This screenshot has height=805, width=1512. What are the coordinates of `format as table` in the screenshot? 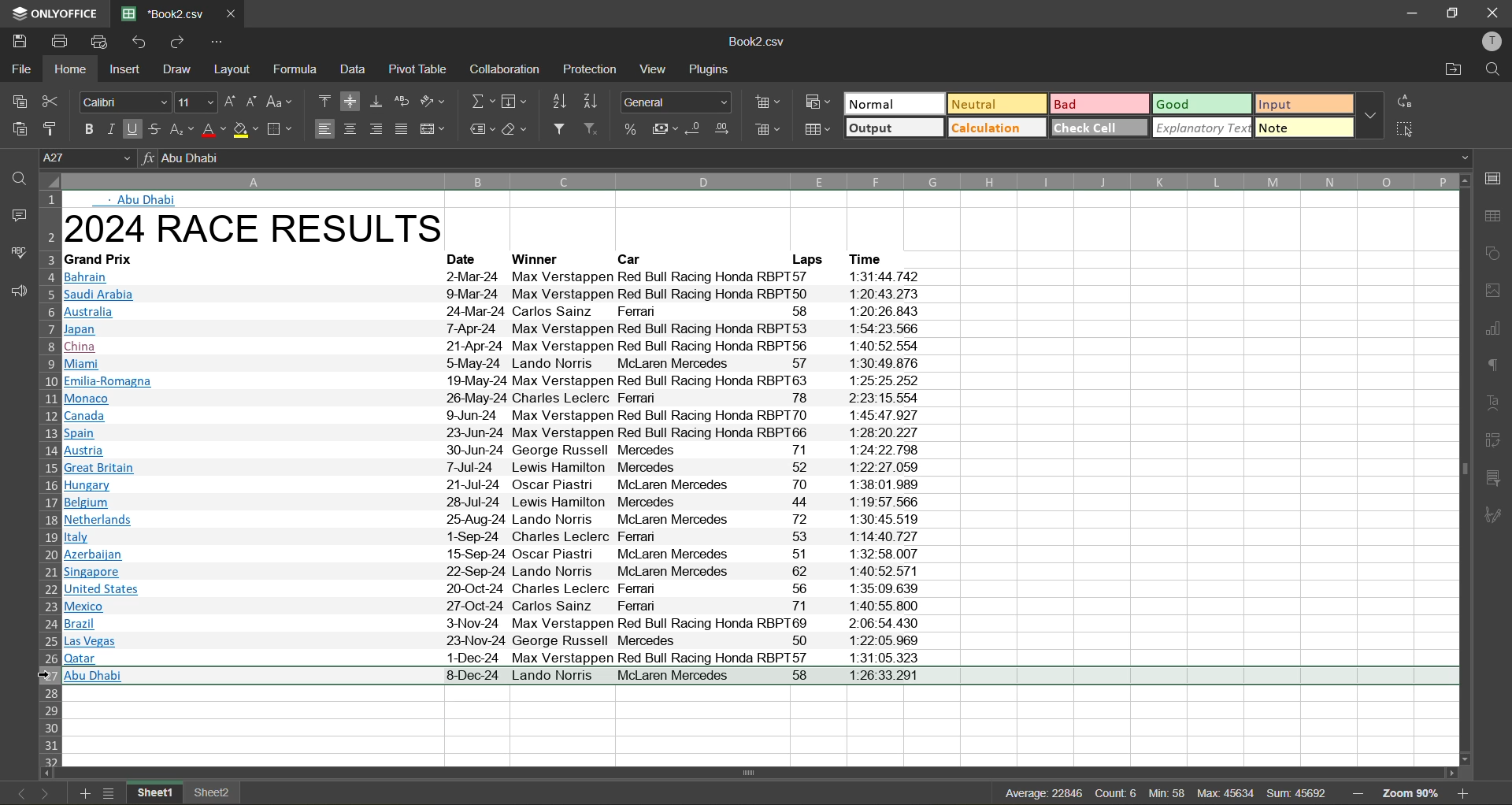 It's located at (822, 133).